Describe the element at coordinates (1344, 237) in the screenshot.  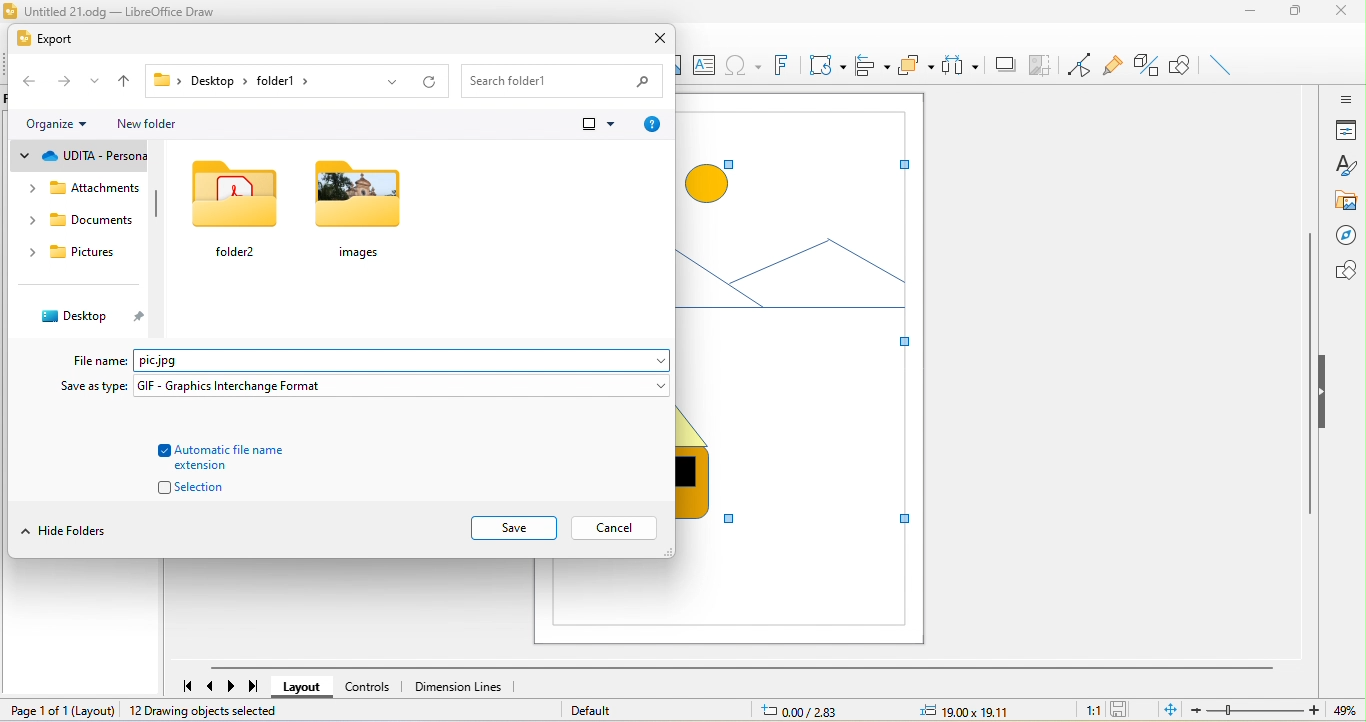
I see `navigator` at that location.